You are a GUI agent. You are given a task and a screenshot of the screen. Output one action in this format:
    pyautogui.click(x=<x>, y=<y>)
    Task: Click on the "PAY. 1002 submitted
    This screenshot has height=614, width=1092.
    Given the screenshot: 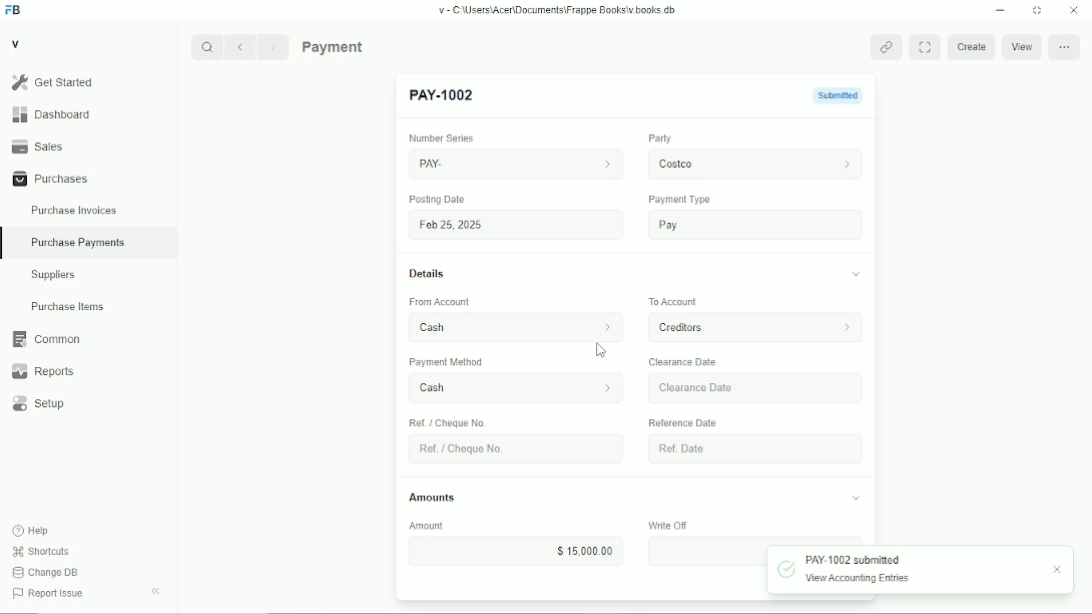 What is the action you would take?
    pyautogui.click(x=854, y=559)
    